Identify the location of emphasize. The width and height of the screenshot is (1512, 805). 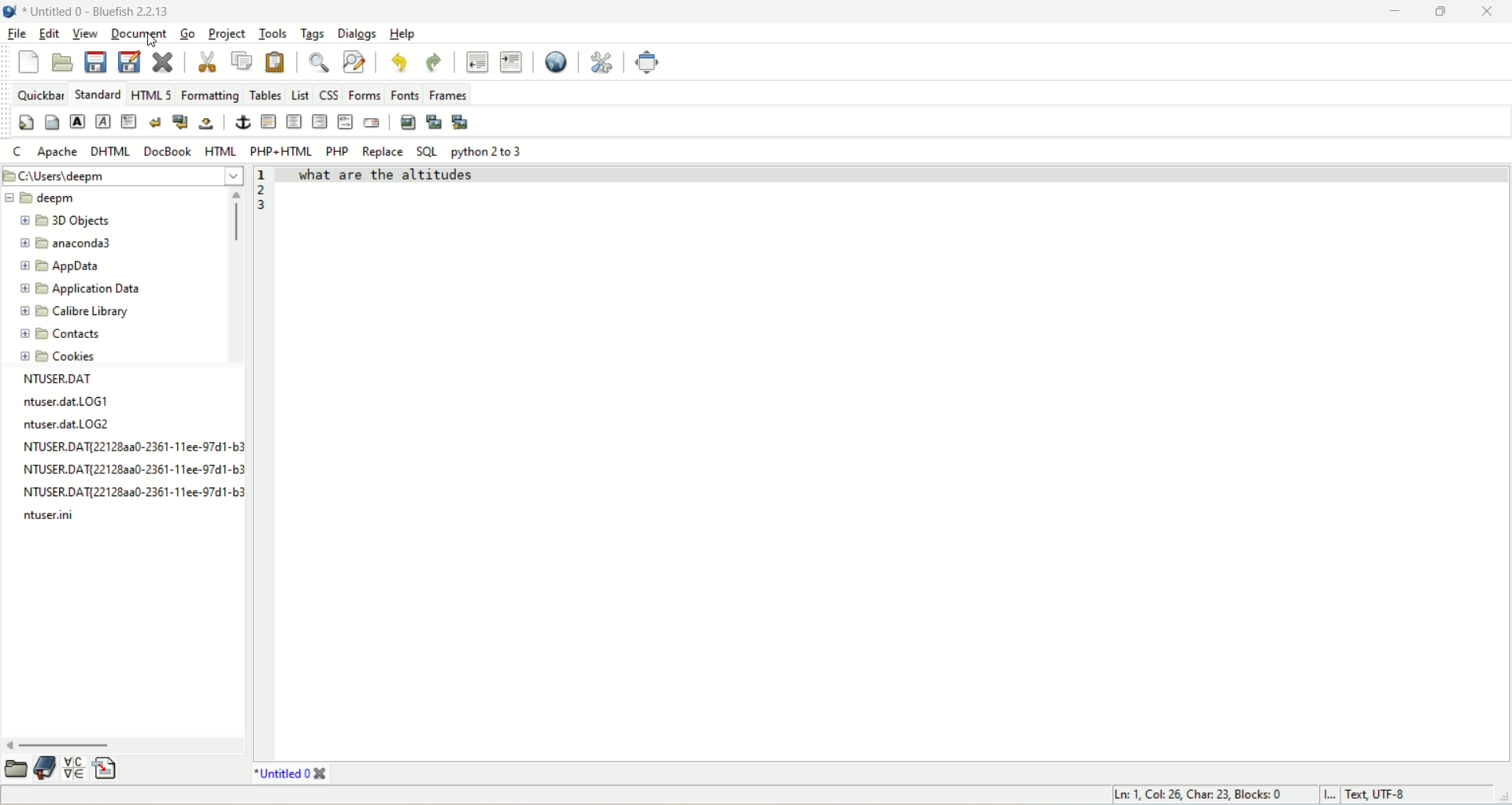
(103, 122).